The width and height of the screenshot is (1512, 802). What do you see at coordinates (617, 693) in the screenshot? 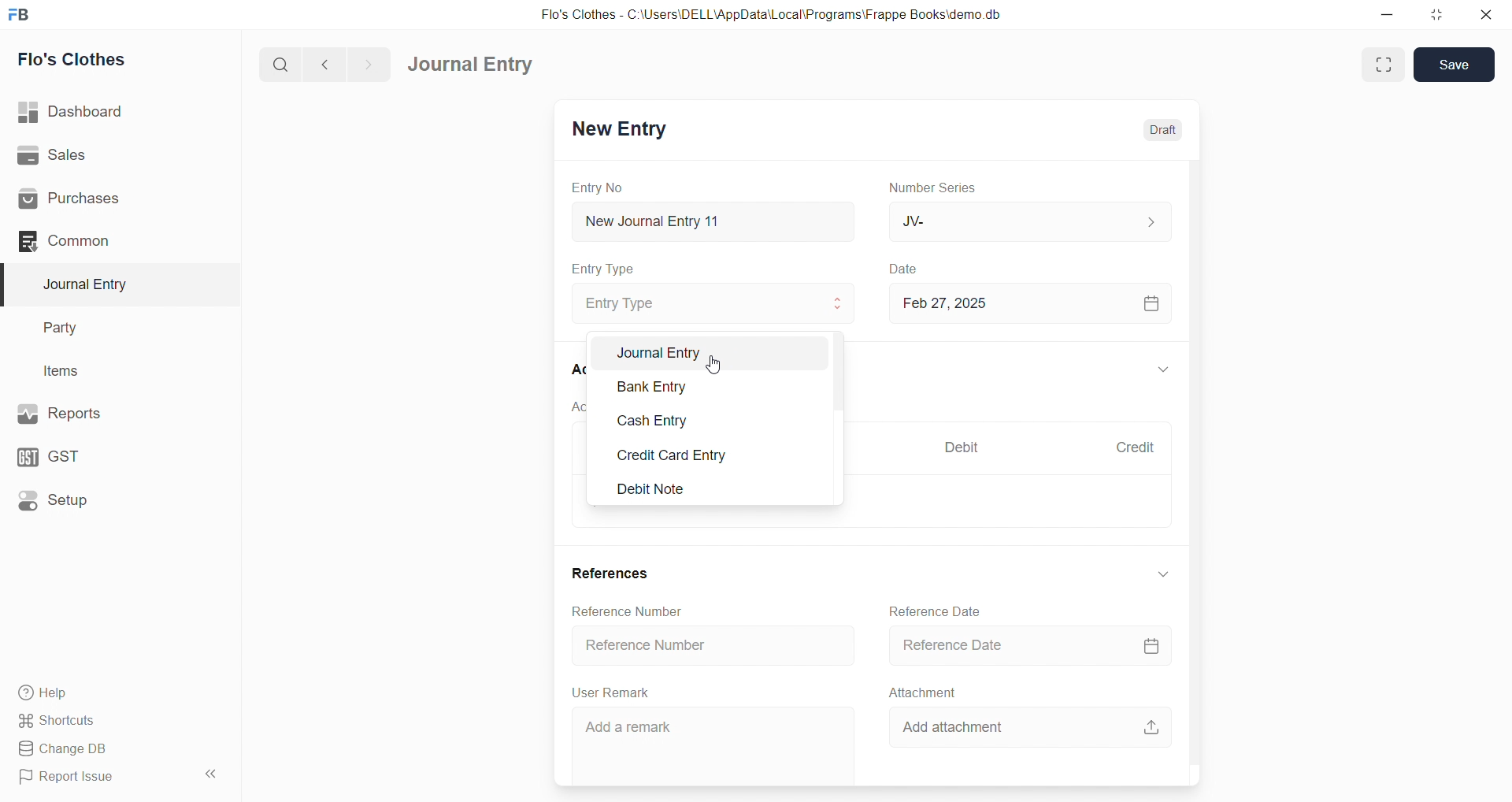
I see `User Remark` at bounding box center [617, 693].